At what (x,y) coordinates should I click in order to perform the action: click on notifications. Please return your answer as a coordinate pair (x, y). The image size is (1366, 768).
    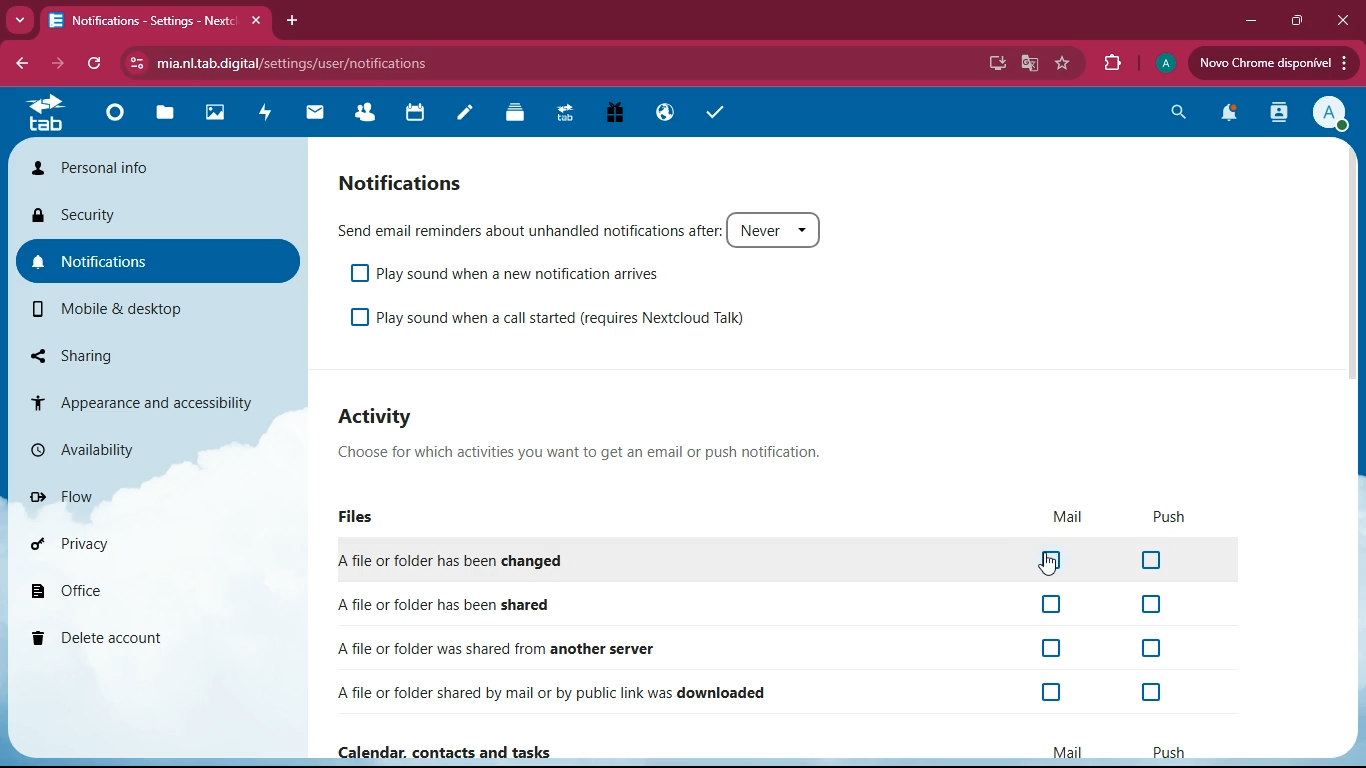
    Looking at the image, I should click on (150, 262).